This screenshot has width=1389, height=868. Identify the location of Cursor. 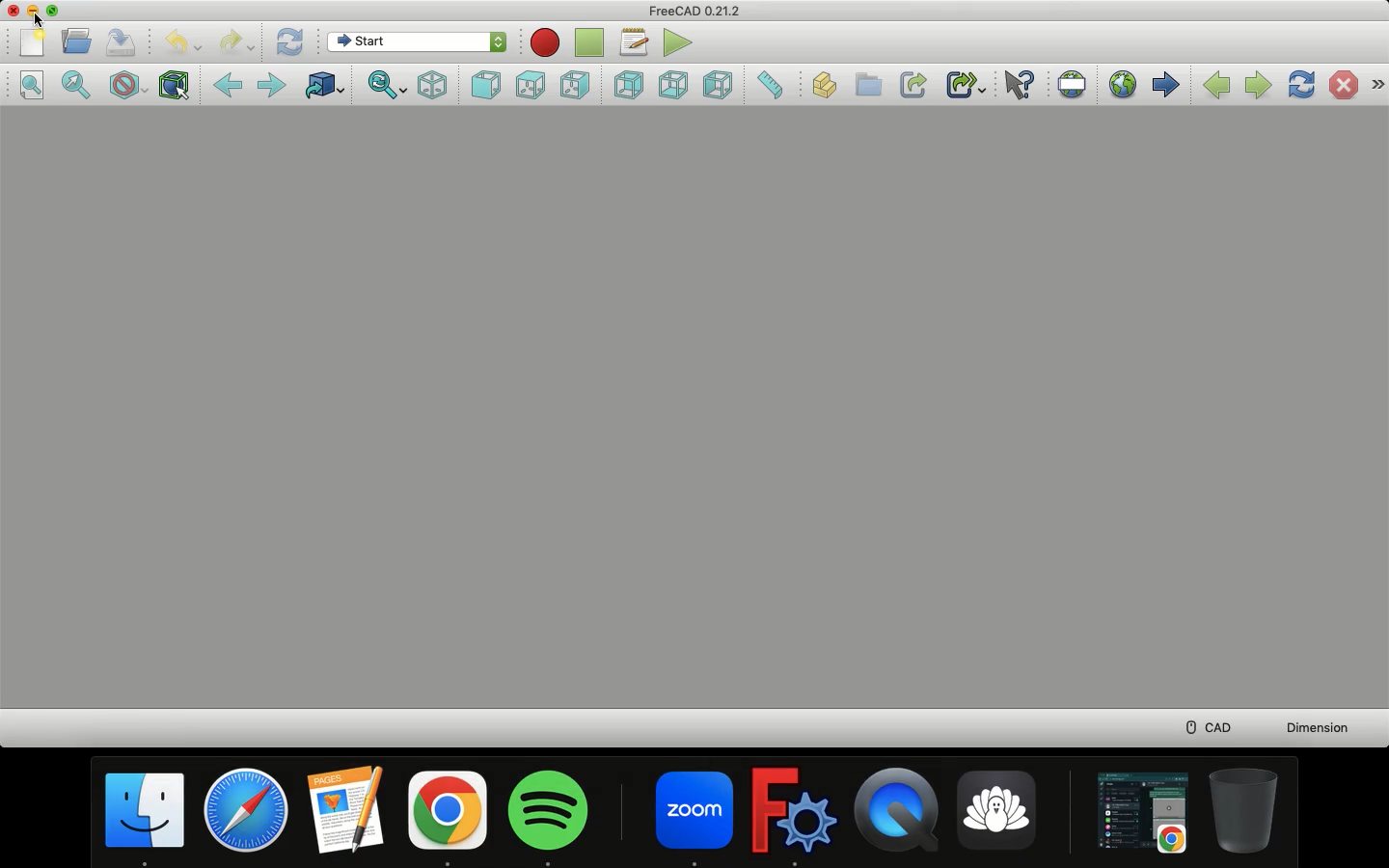
(40, 20).